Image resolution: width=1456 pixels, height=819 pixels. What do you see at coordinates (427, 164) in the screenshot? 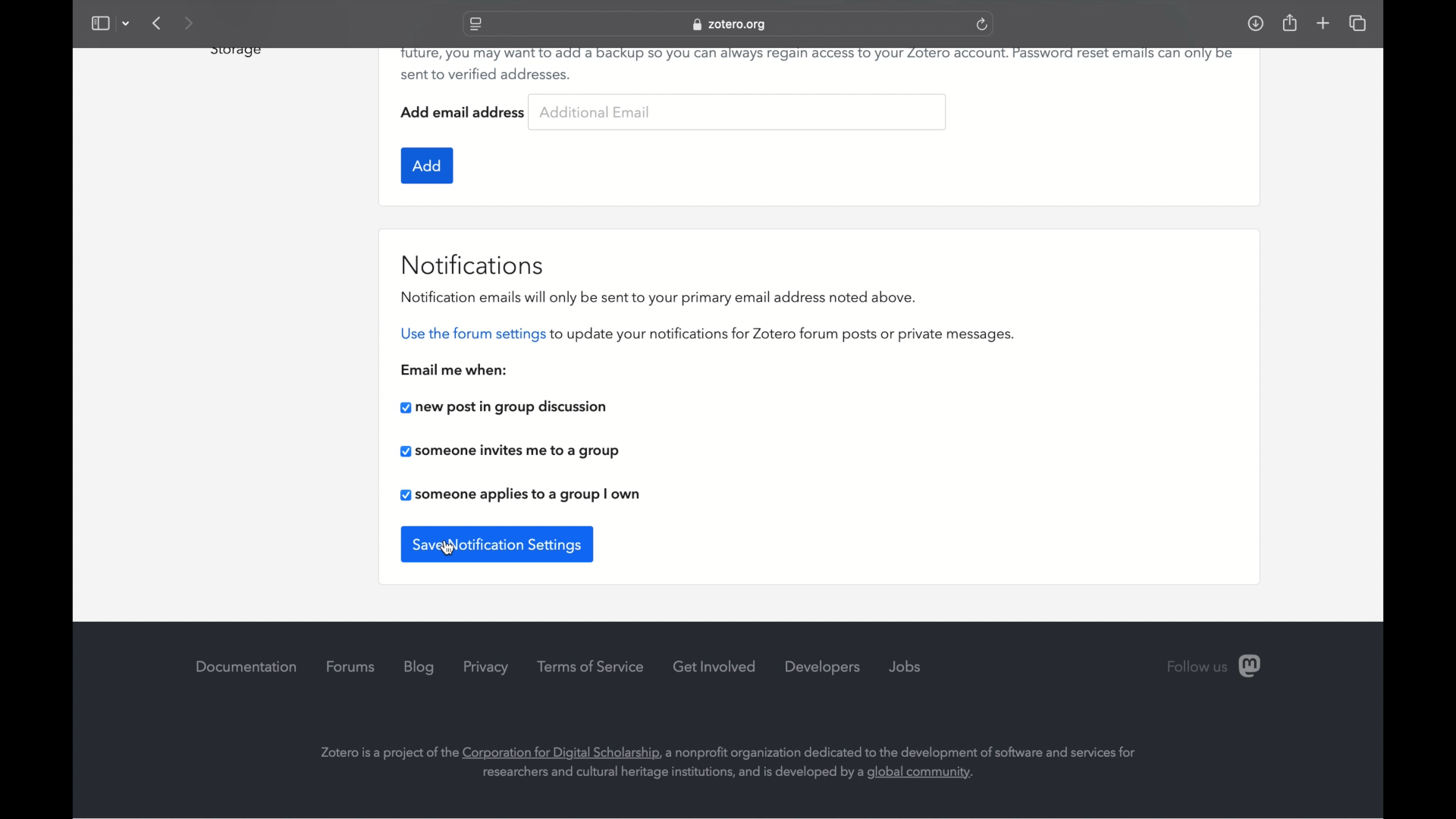
I see `add` at bounding box center [427, 164].